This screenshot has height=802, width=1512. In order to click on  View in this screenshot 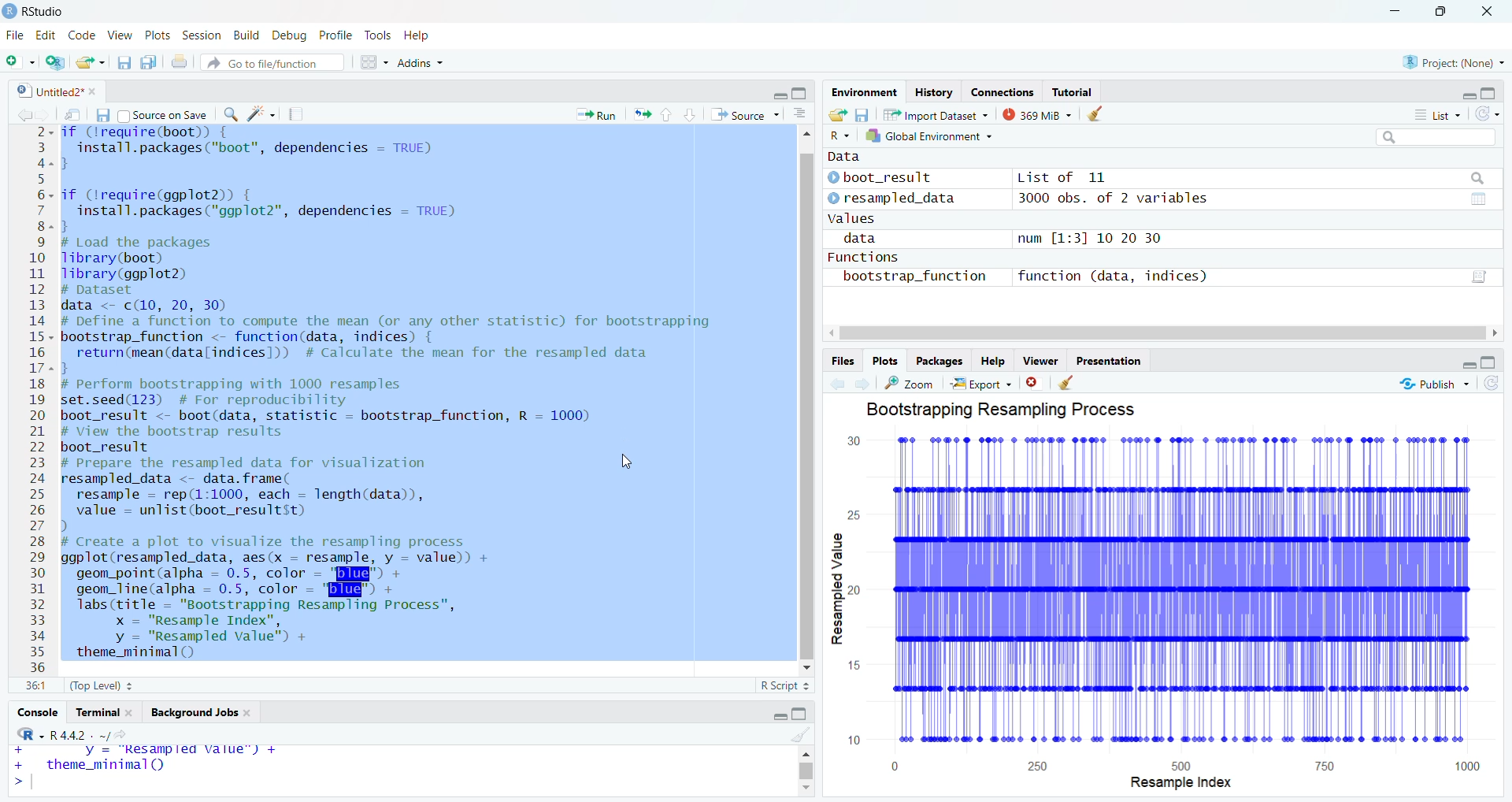, I will do `click(120, 36)`.